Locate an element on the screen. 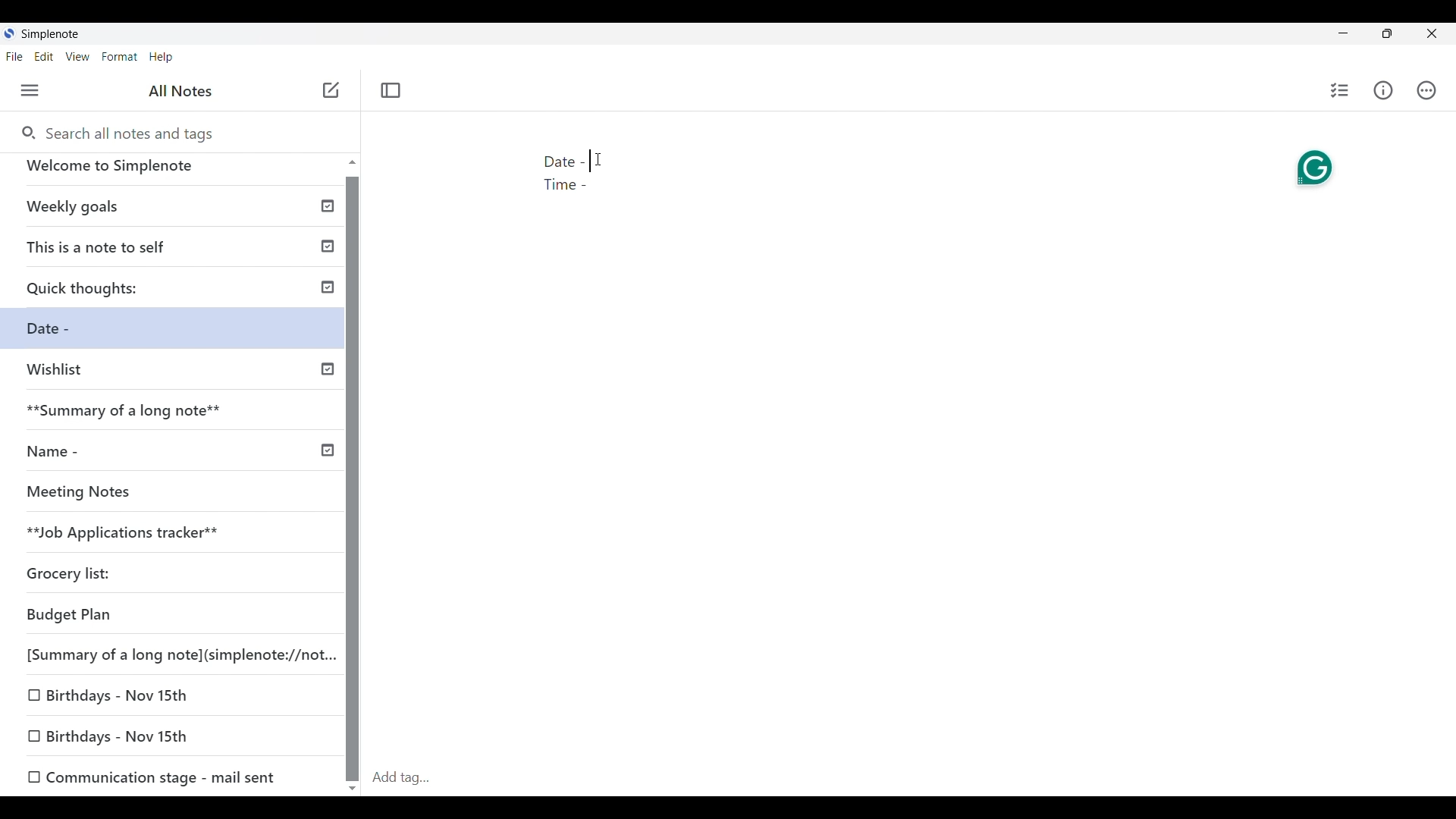 The height and width of the screenshot is (819, 1456). Published note indicated by check icon is located at coordinates (174, 212).